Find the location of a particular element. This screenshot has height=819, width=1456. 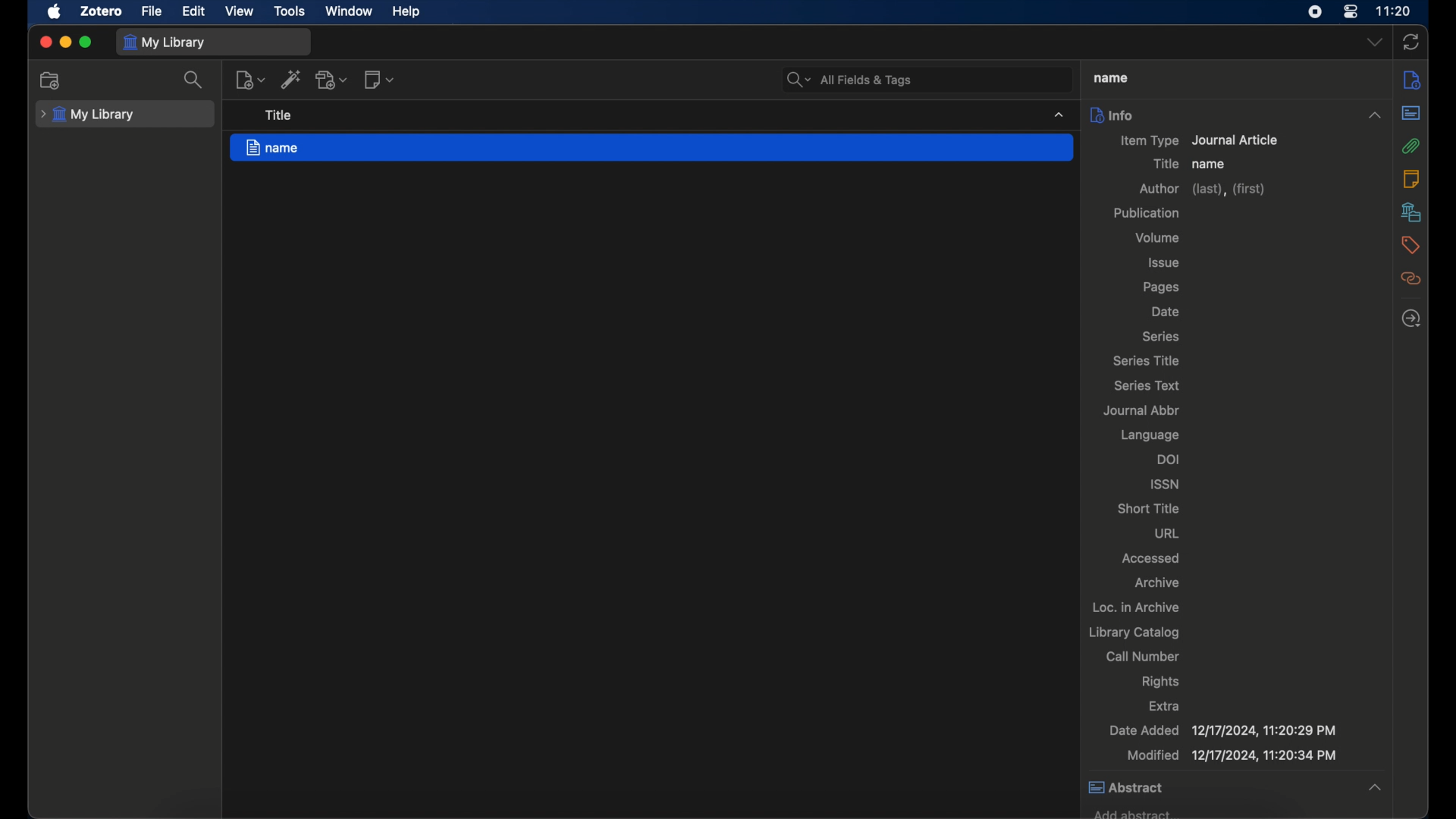

info is located at coordinates (1236, 114).